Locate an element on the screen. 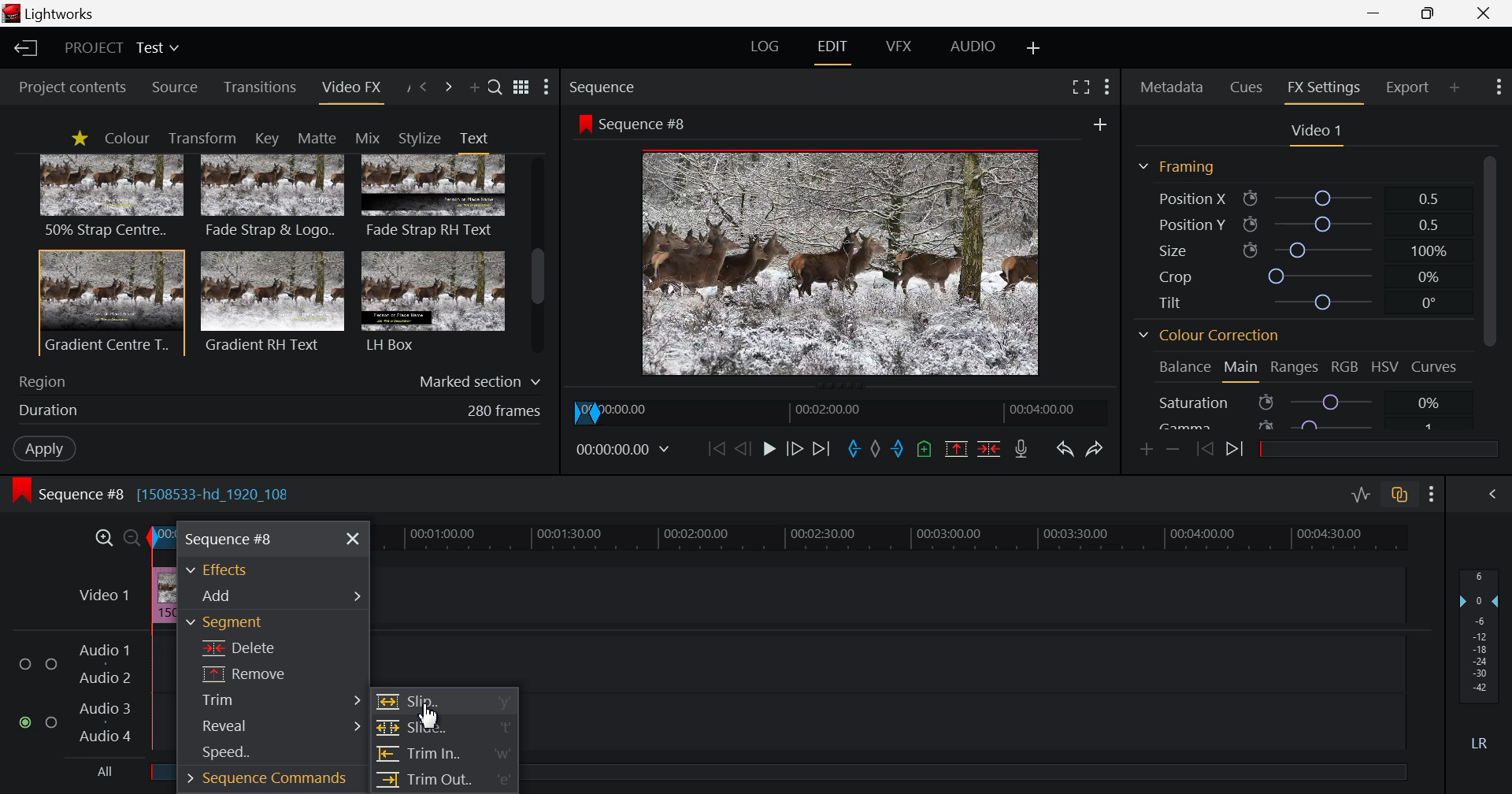  Apply is located at coordinates (41, 447).